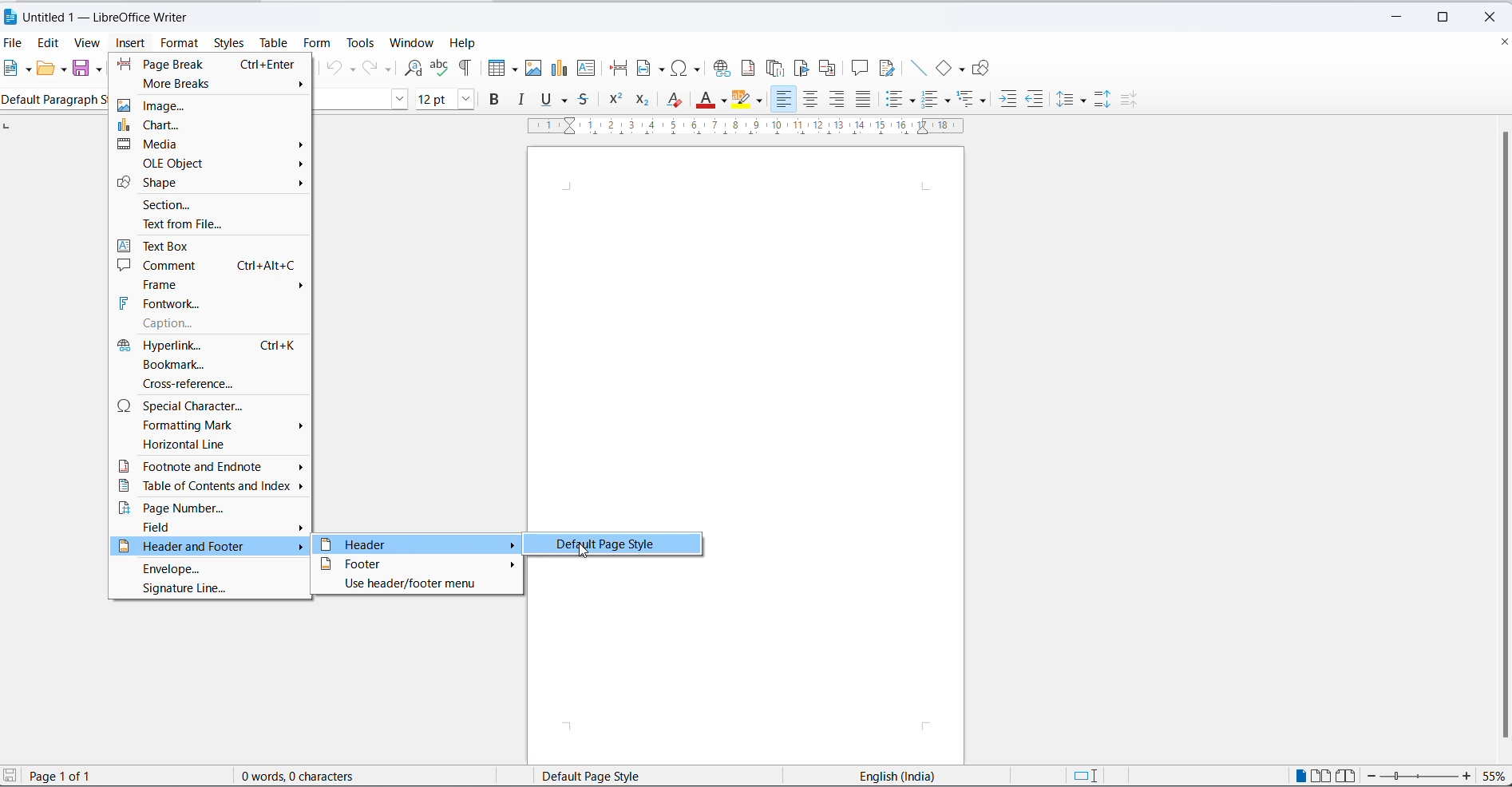 The image size is (1512, 787). What do you see at coordinates (59, 69) in the screenshot?
I see `open options` at bounding box center [59, 69].